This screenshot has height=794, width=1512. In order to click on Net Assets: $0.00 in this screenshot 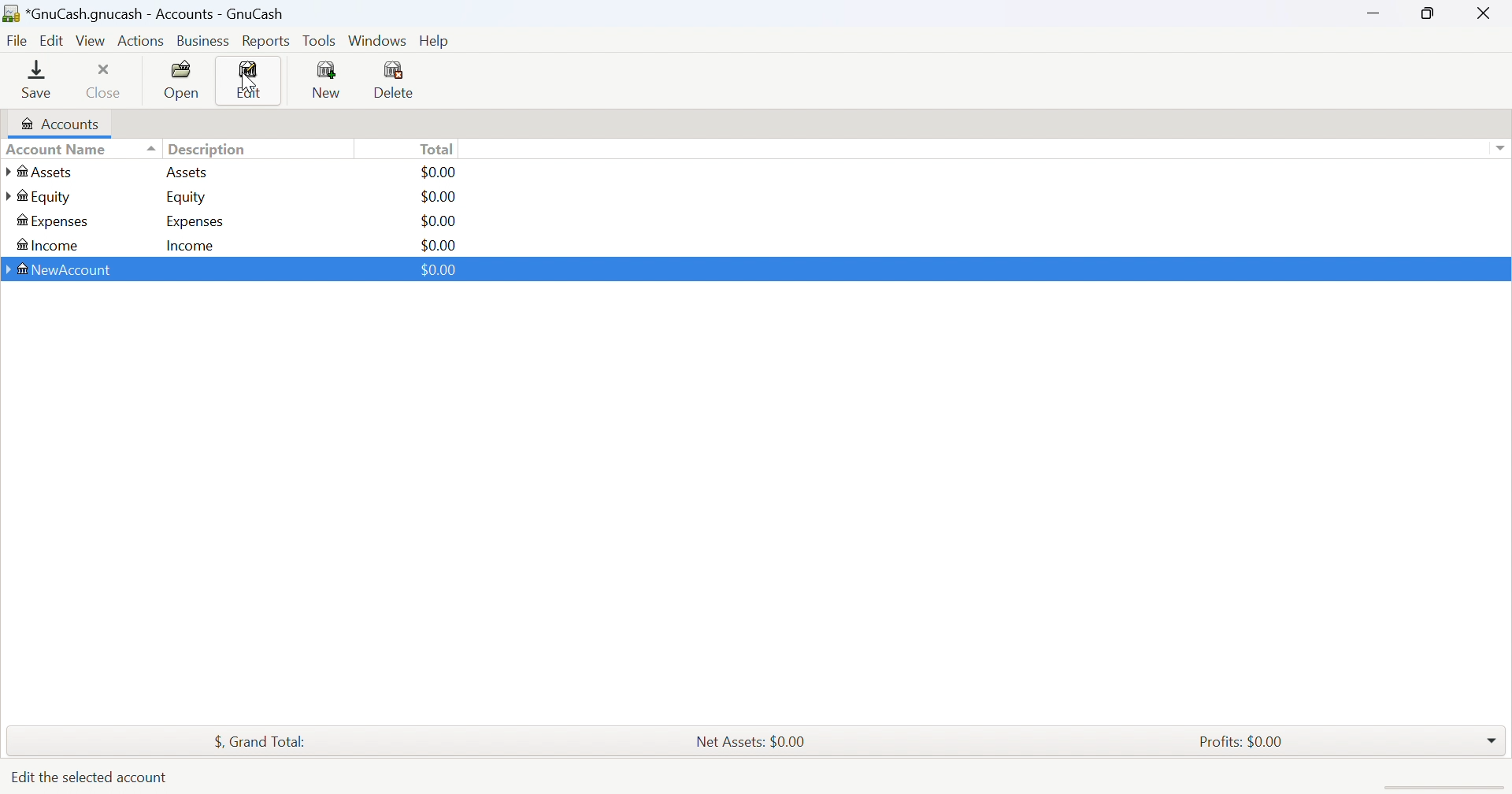, I will do `click(750, 742)`.